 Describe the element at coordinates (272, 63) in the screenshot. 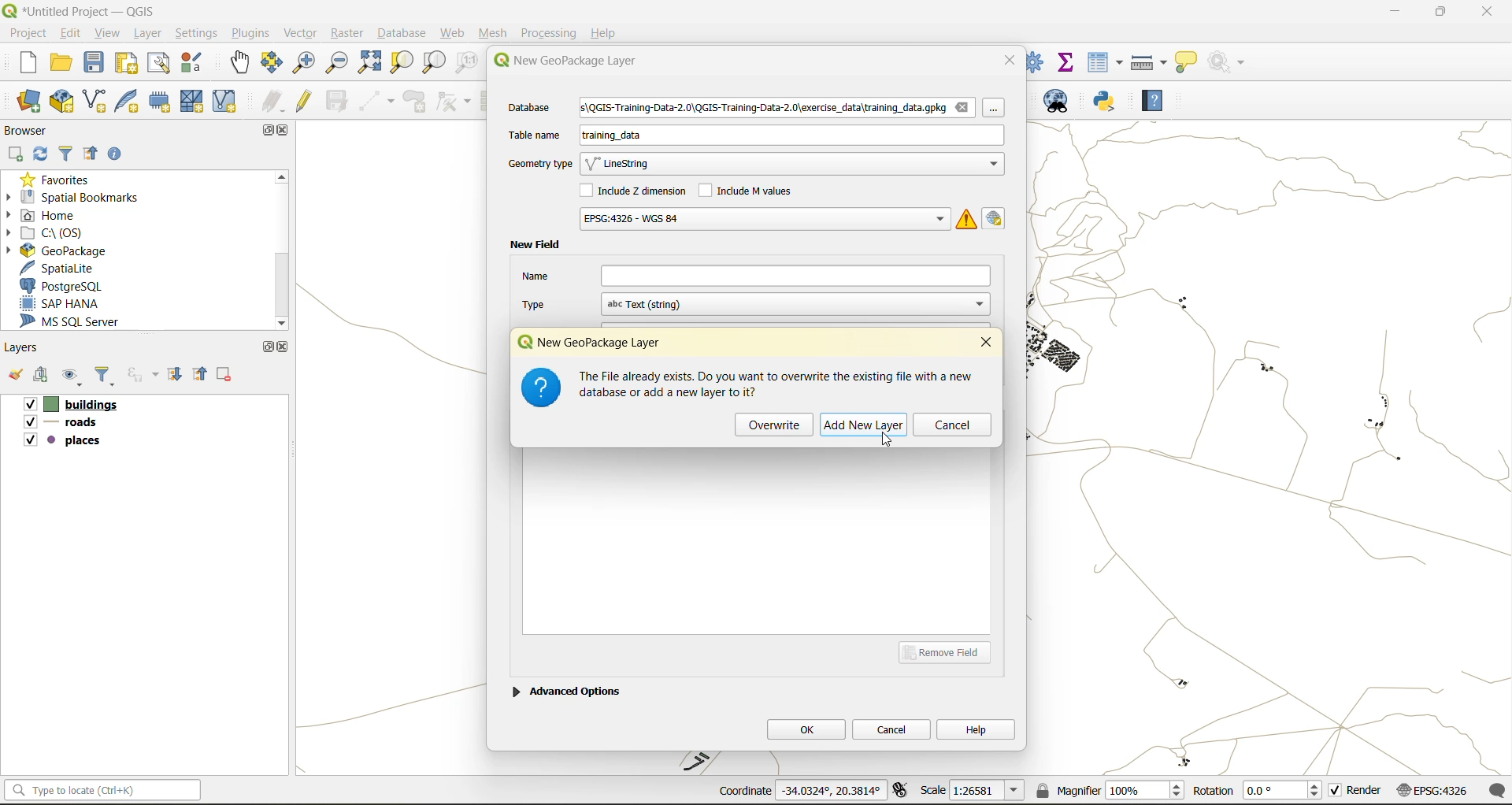

I see `pan selection` at that location.